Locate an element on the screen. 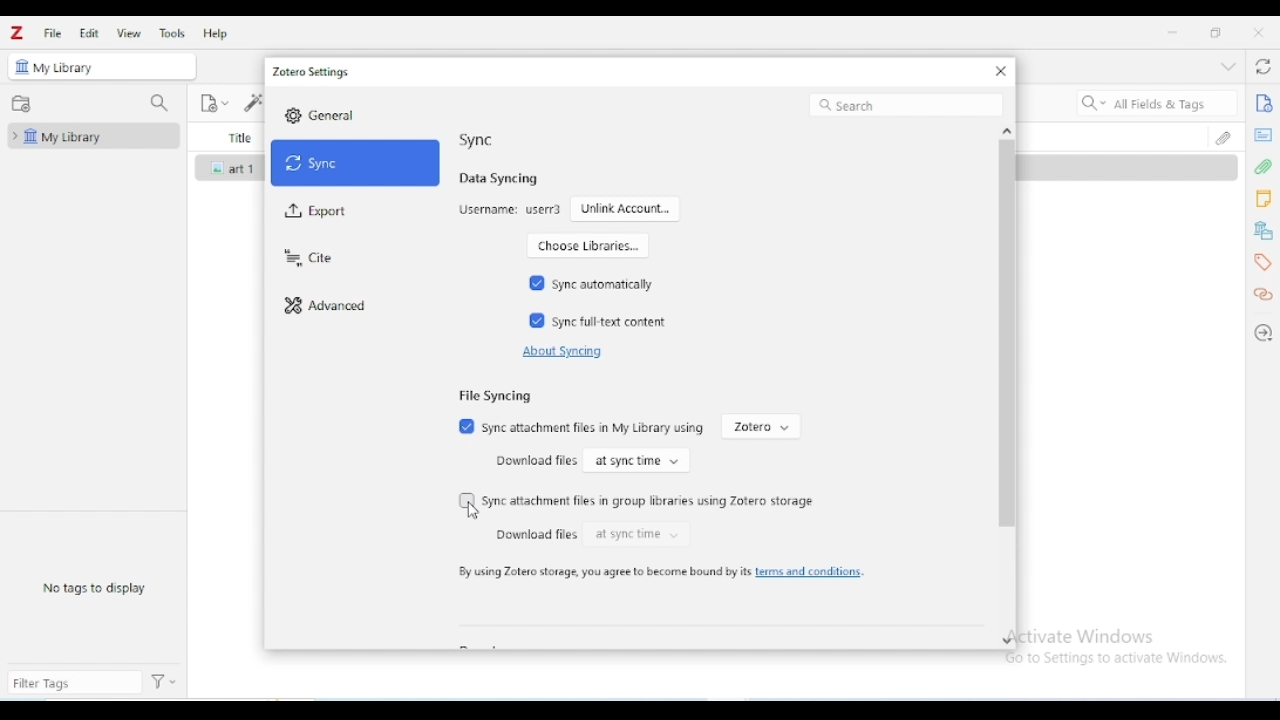 The width and height of the screenshot is (1280, 720). close is located at coordinates (1001, 71).